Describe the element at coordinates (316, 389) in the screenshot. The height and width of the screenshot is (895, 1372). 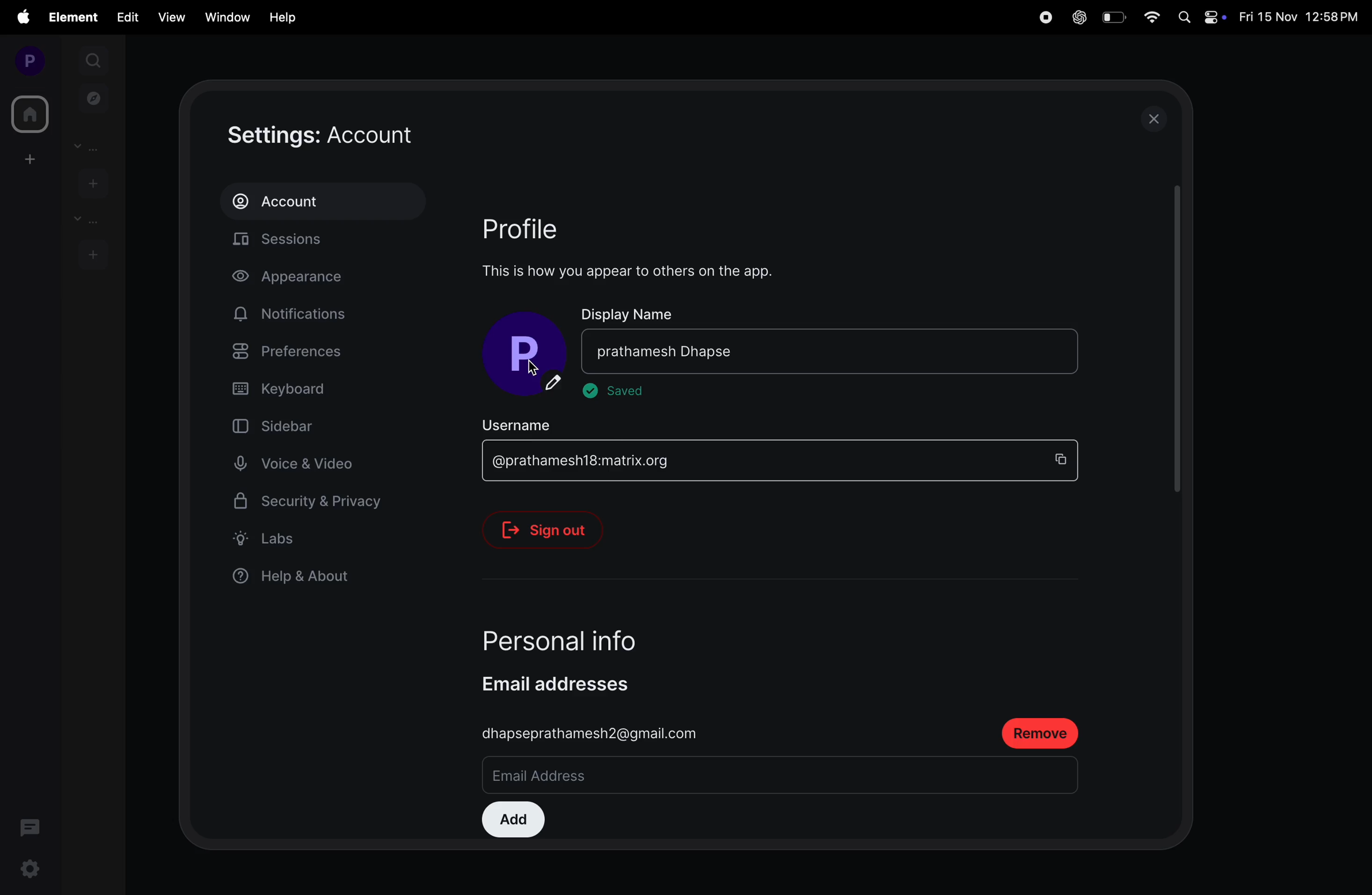
I see `keyboard` at that location.